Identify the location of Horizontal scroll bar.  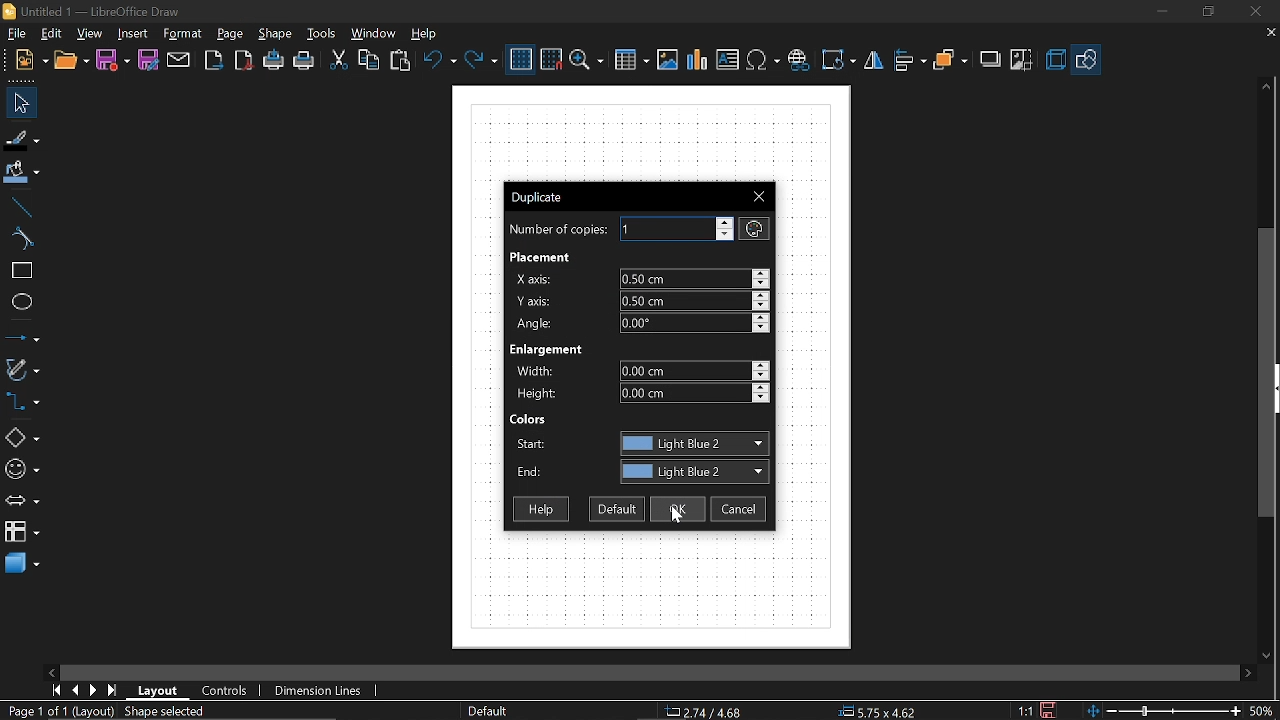
(768, 673).